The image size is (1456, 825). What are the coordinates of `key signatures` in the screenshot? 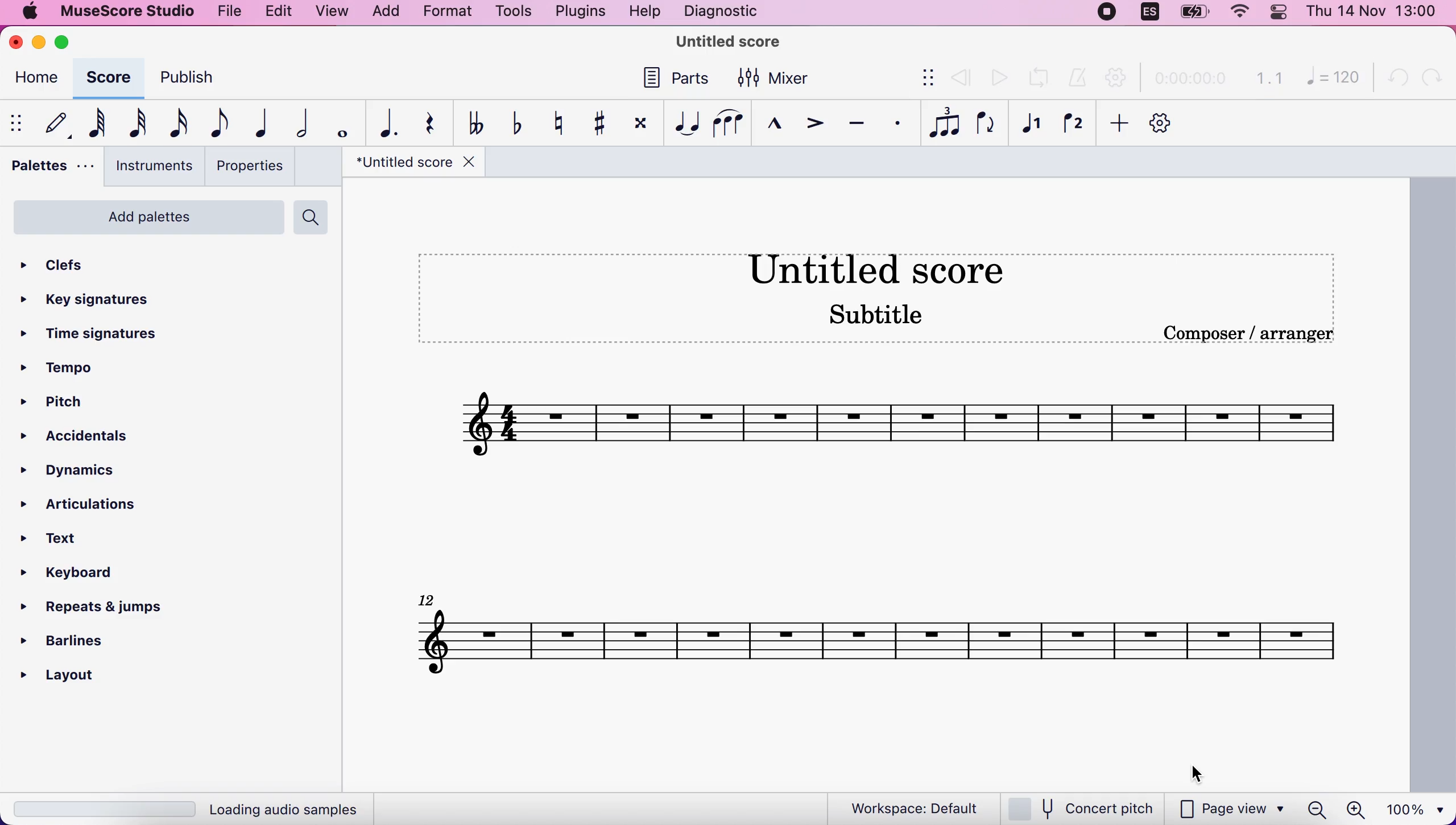 It's located at (94, 303).